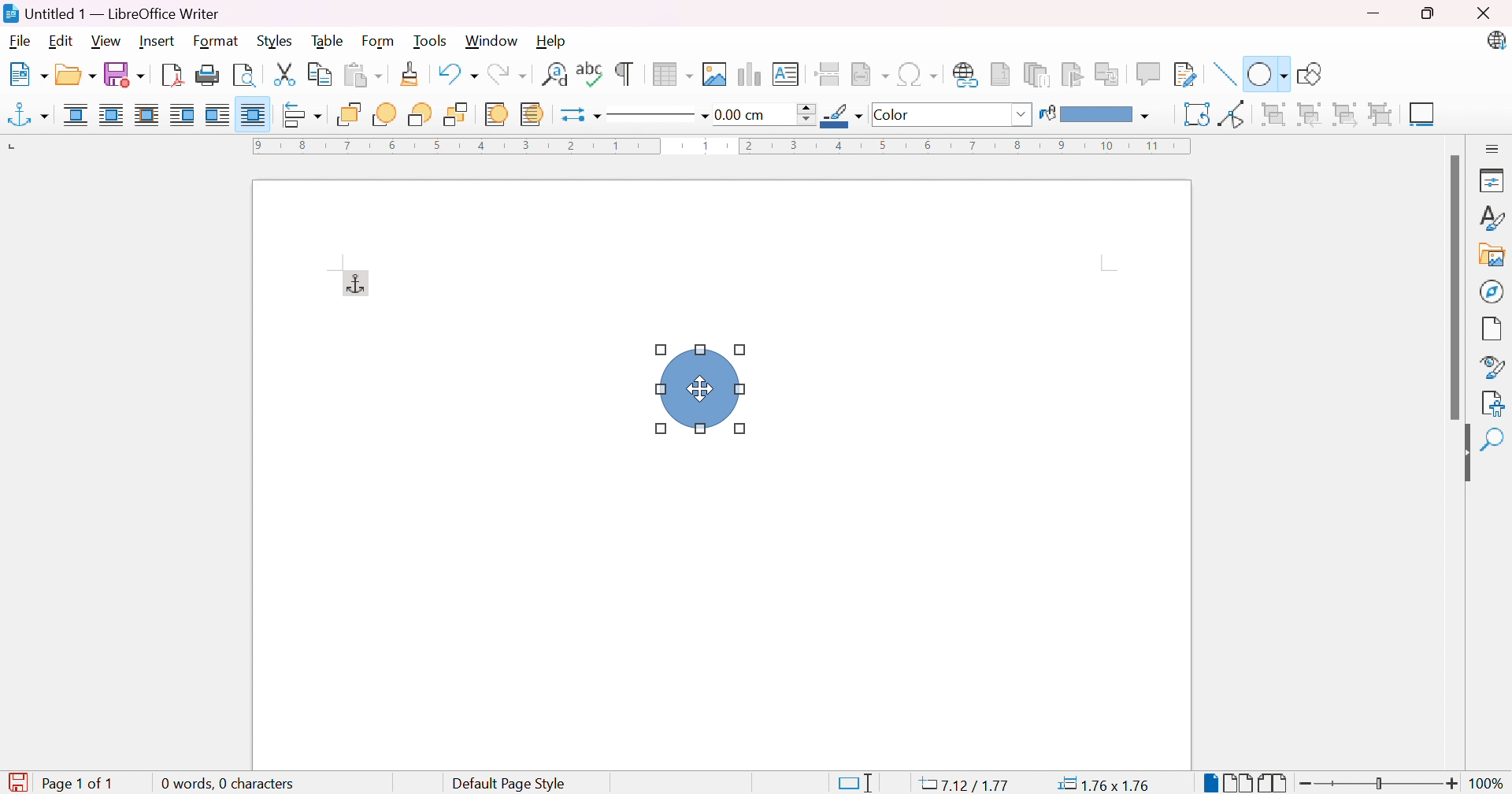 This screenshot has height=794, width=1512. I want to click on Manage changes, so click(1496, 402).